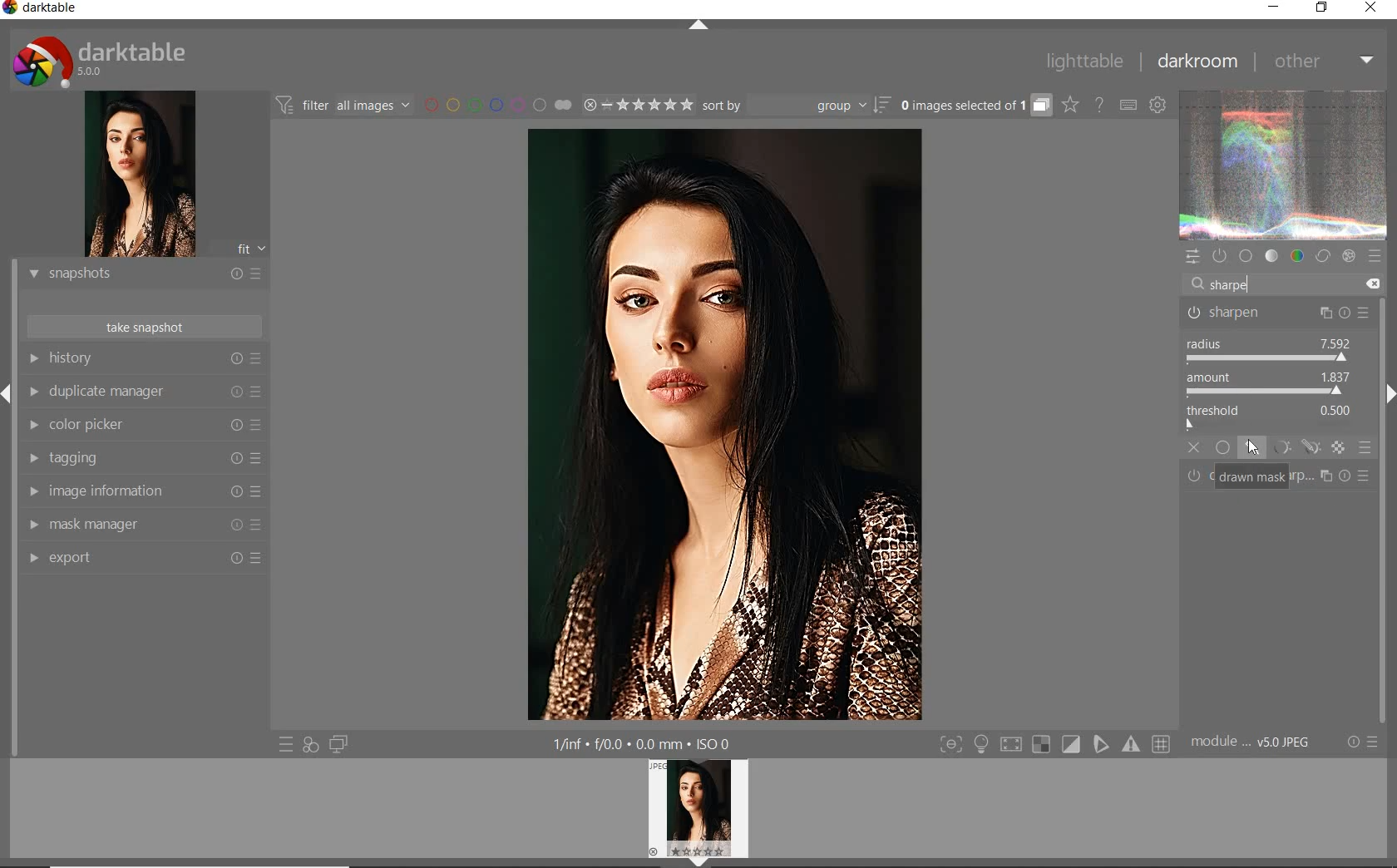 This screenshot has width=1397, height=868. Describe the element at coordinates (1269, 348) in the screenshot. I see `RADIUS` at that location.